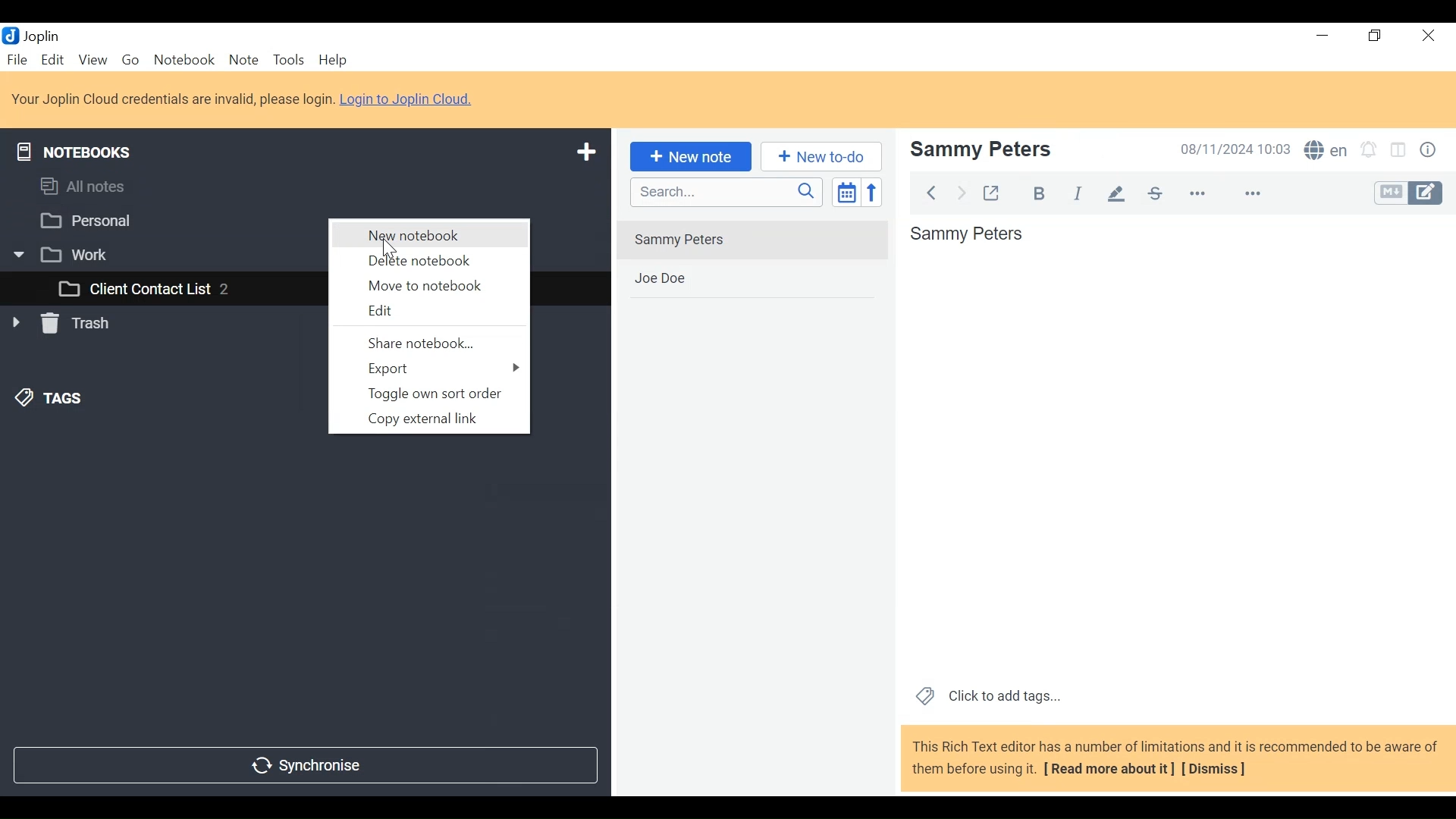 The width and height of the screenshot is (1456, 819). What do you see at coordinates (969, 237) in the screenshot?
I see `Sammy Peters` at bounding box center [969, 237].